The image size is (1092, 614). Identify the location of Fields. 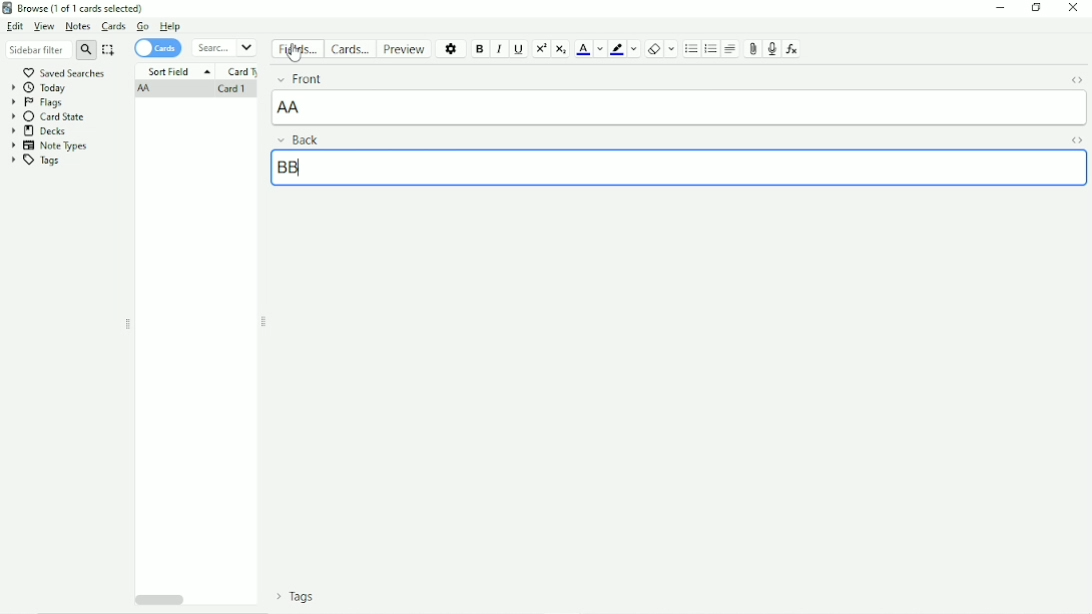
(297, 49).